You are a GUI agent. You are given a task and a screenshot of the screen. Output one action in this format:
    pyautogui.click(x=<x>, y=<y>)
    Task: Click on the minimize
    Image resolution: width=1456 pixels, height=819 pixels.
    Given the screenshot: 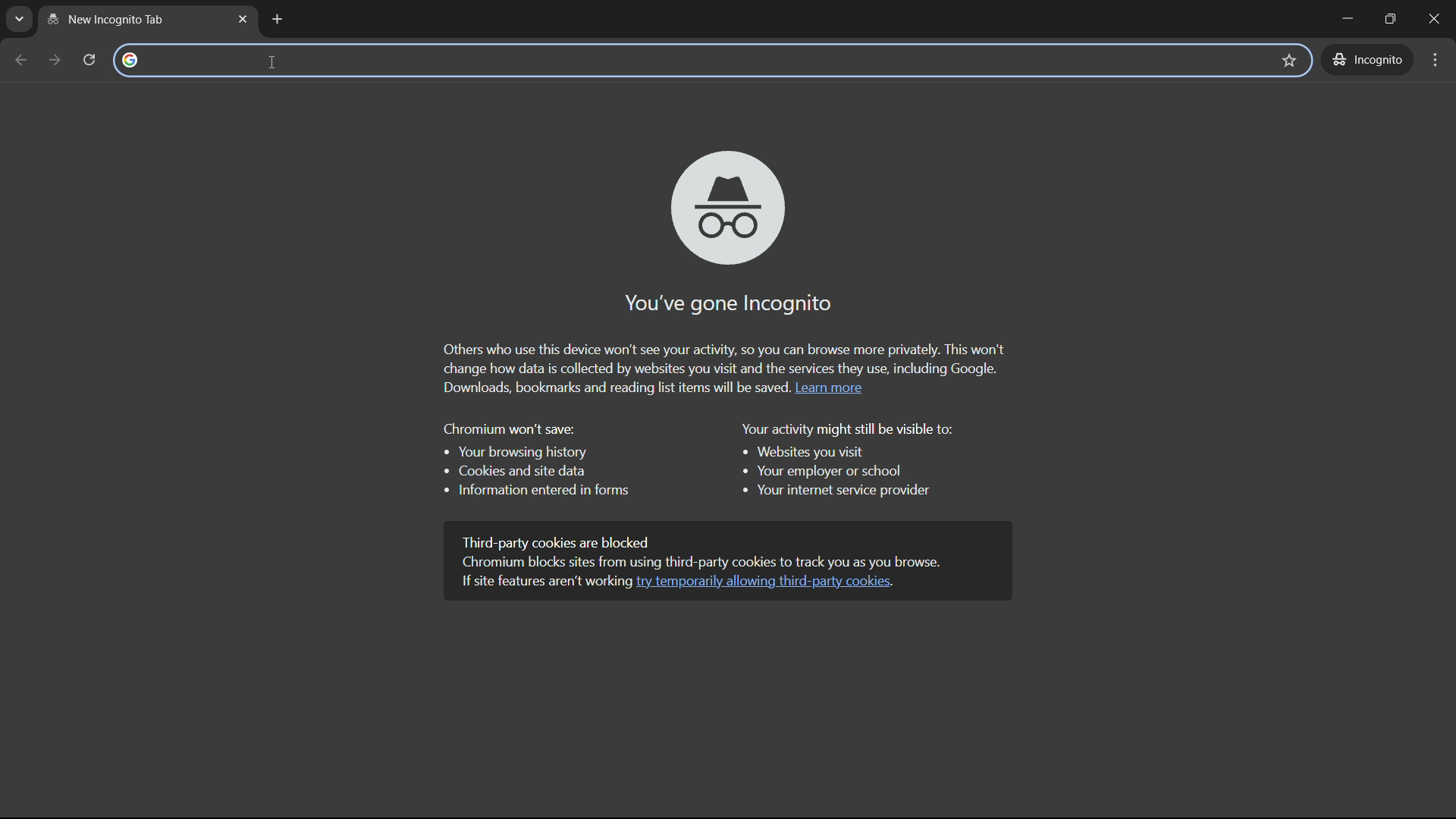 What is the action you would take?
    pyautogui.click(x=1341, y=20)
    